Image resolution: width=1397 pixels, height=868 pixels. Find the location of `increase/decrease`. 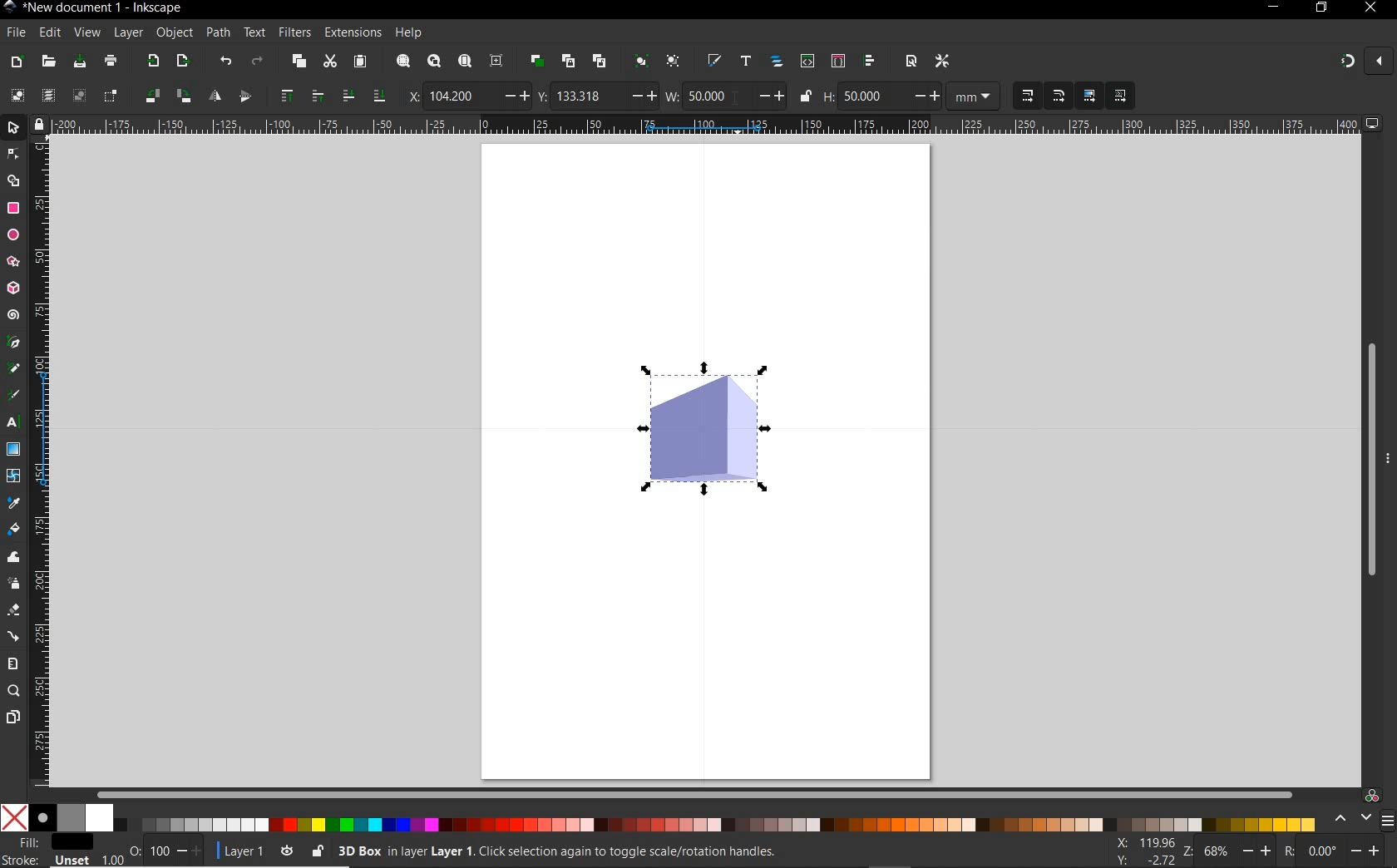

increase/decrease is located at coordinates (1256, 853).